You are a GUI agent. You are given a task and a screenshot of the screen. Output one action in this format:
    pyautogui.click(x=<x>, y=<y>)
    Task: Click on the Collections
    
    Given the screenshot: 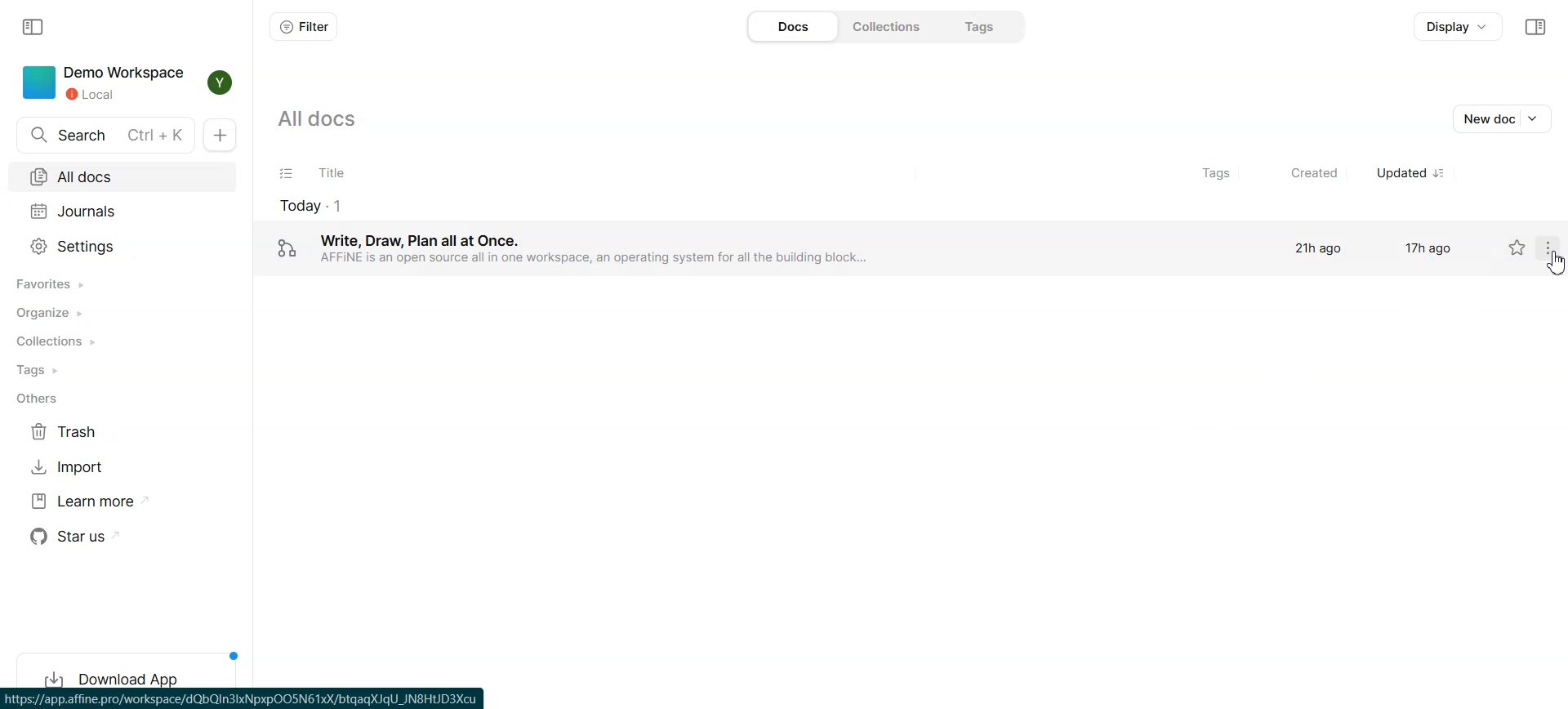 What is the action you would take?
    pyautogui.click(x=891, y=27)
    